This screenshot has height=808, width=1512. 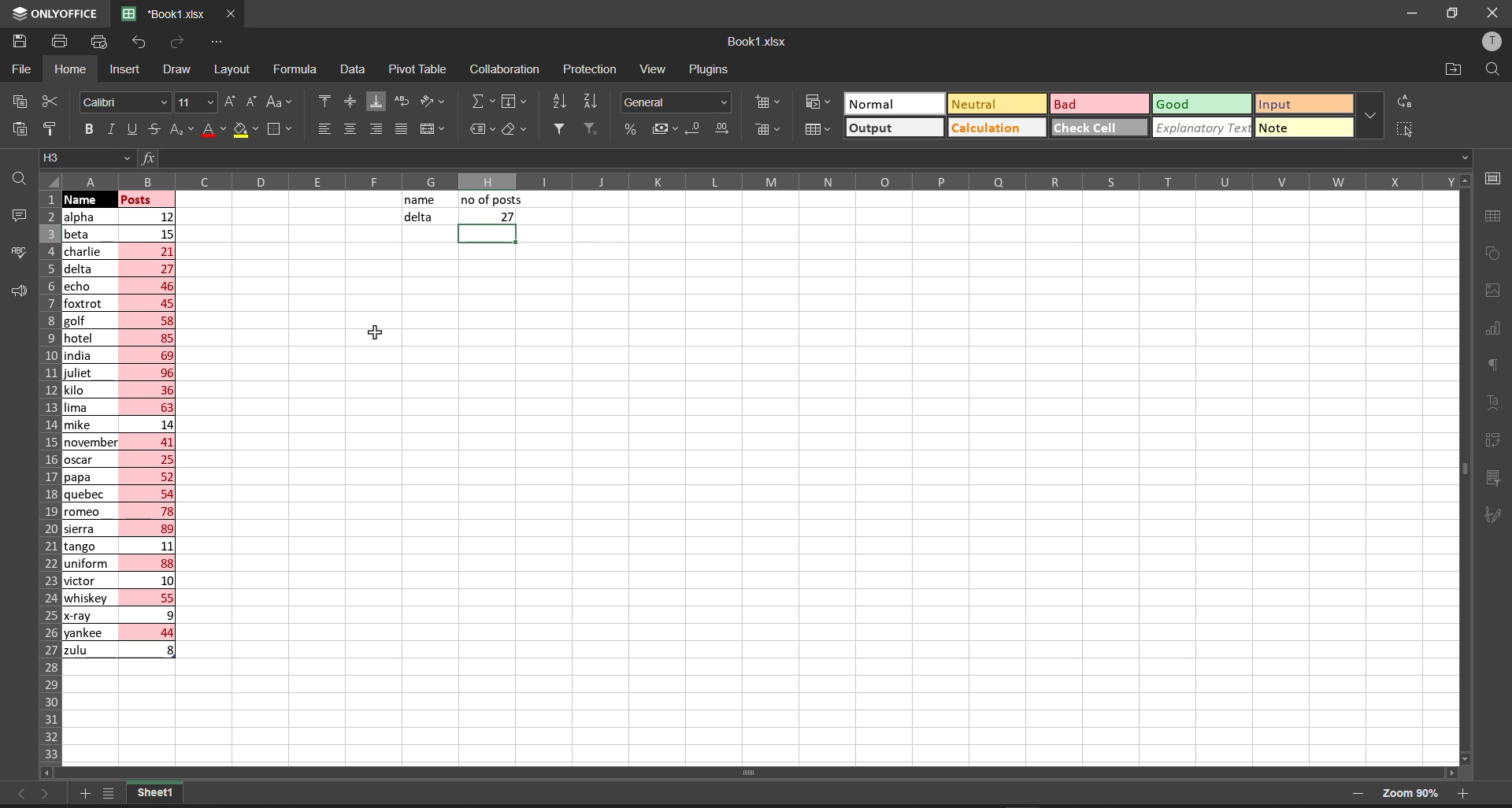 What do you see at coordinates (517, 102) in the screenshot?
I see `fill` at bounding box center [517, 102].